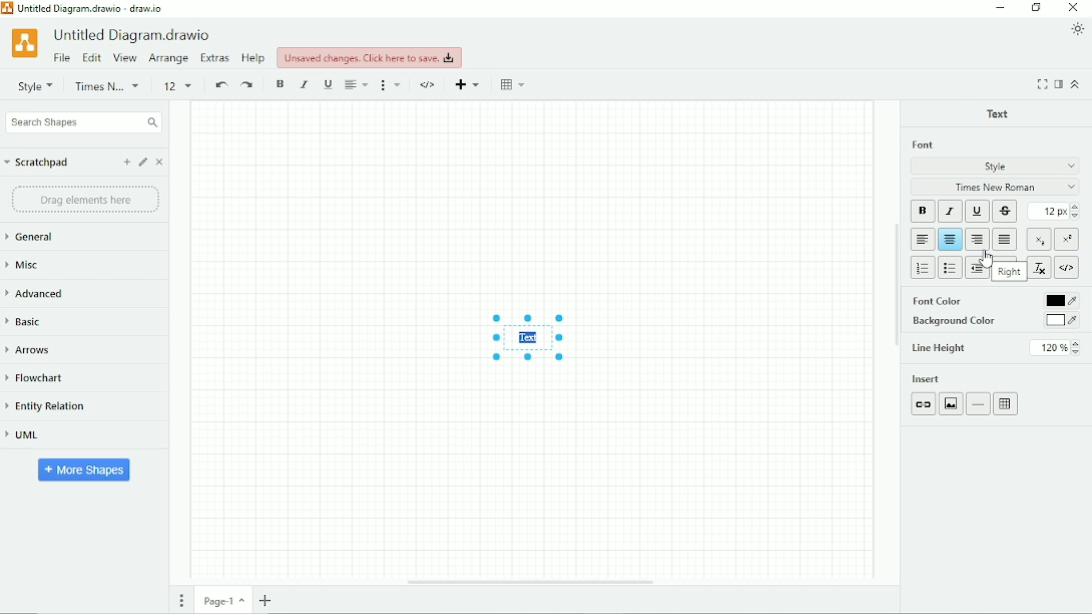 The width and height of the screenshot is (1092, 614). Describe the element at coordinates (1042, 84) in the screenshot. I see `Fullscreen` at that location.